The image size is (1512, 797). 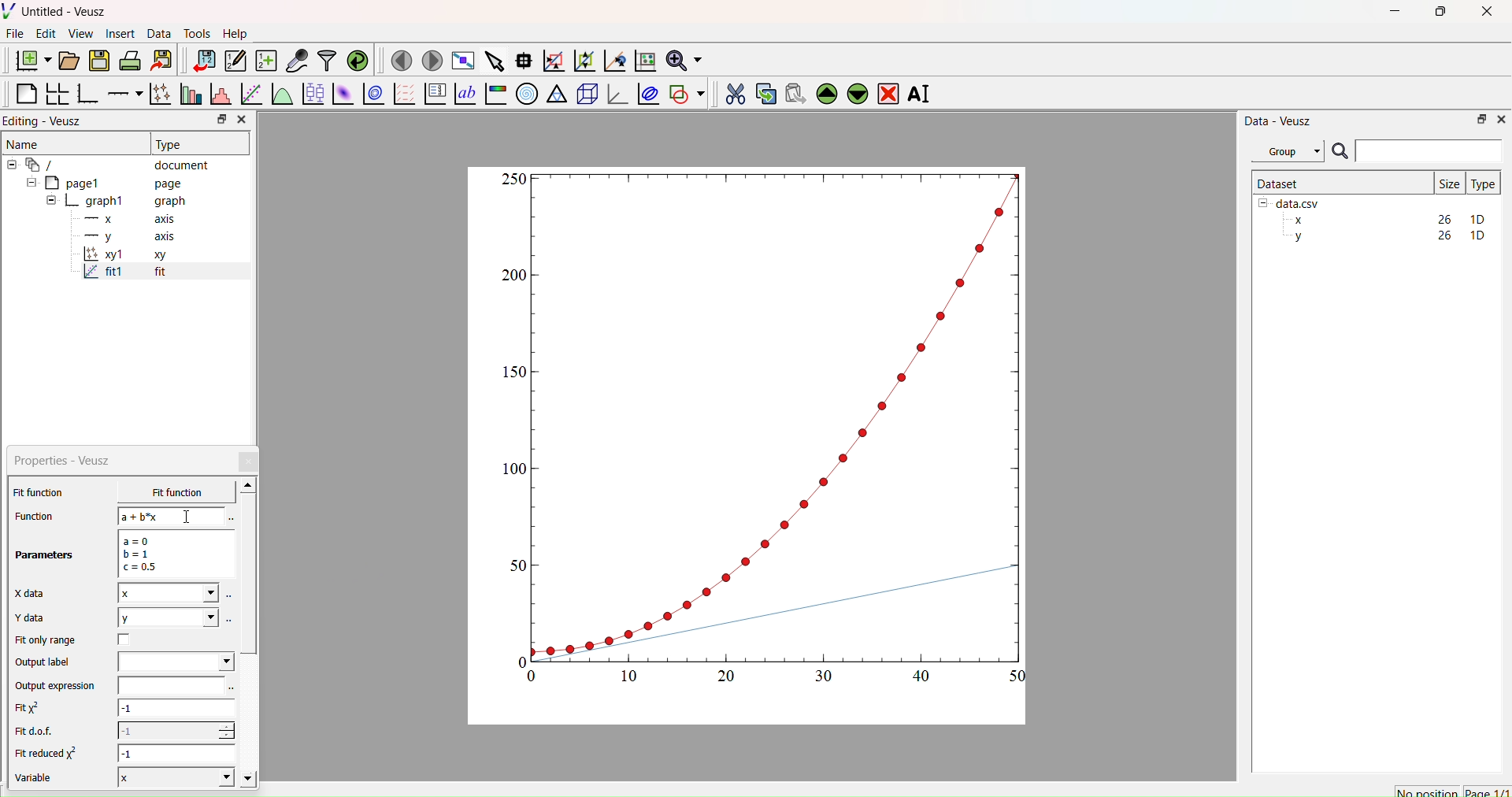 What do you see at coordinates (35, 708) in the screenshot?
I see `Fit x^2` at bounding box center [35, 708].